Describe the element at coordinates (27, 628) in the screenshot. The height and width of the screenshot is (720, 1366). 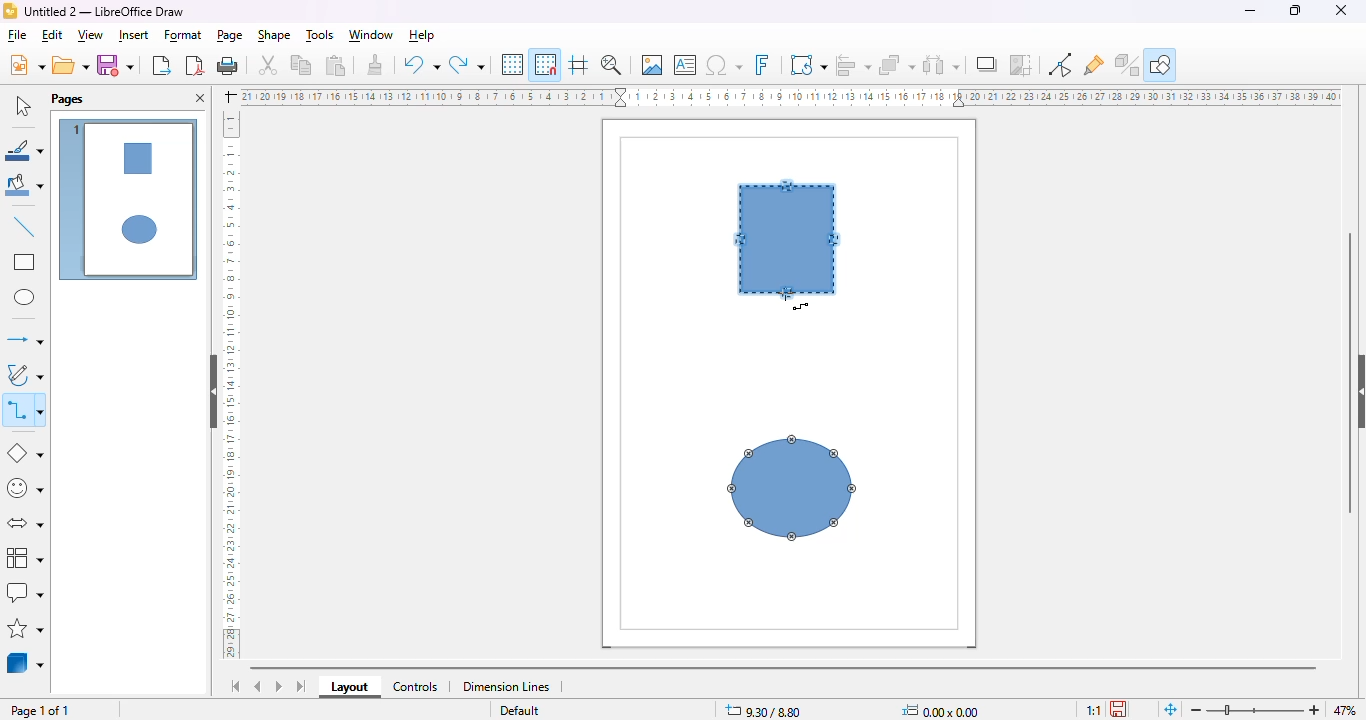
I see `stars and banners` at that location.